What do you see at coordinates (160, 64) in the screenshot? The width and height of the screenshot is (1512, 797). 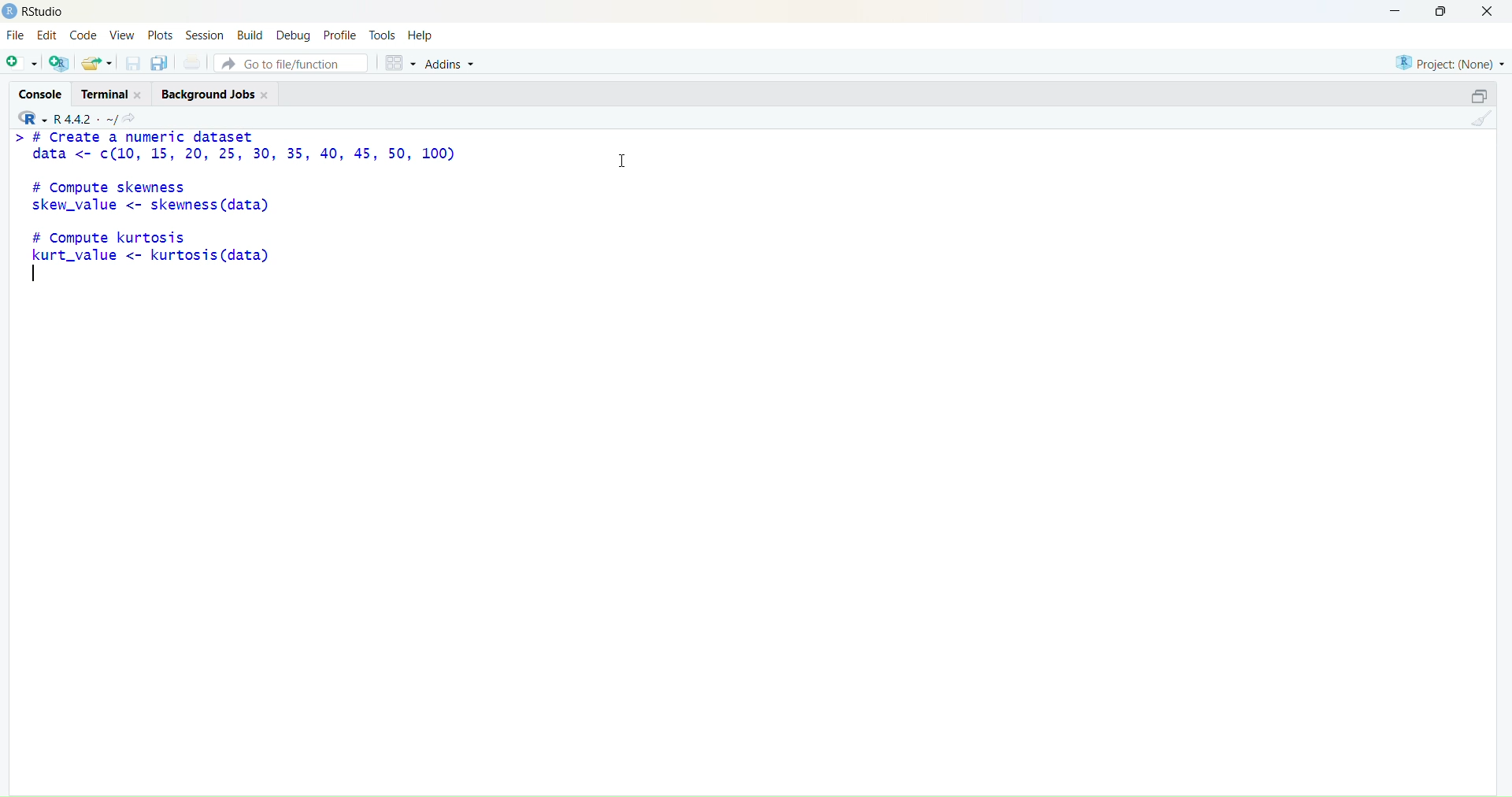 I see `Save all open documents (Ctrl + Alt + S)` at bounding box center [160, 64].